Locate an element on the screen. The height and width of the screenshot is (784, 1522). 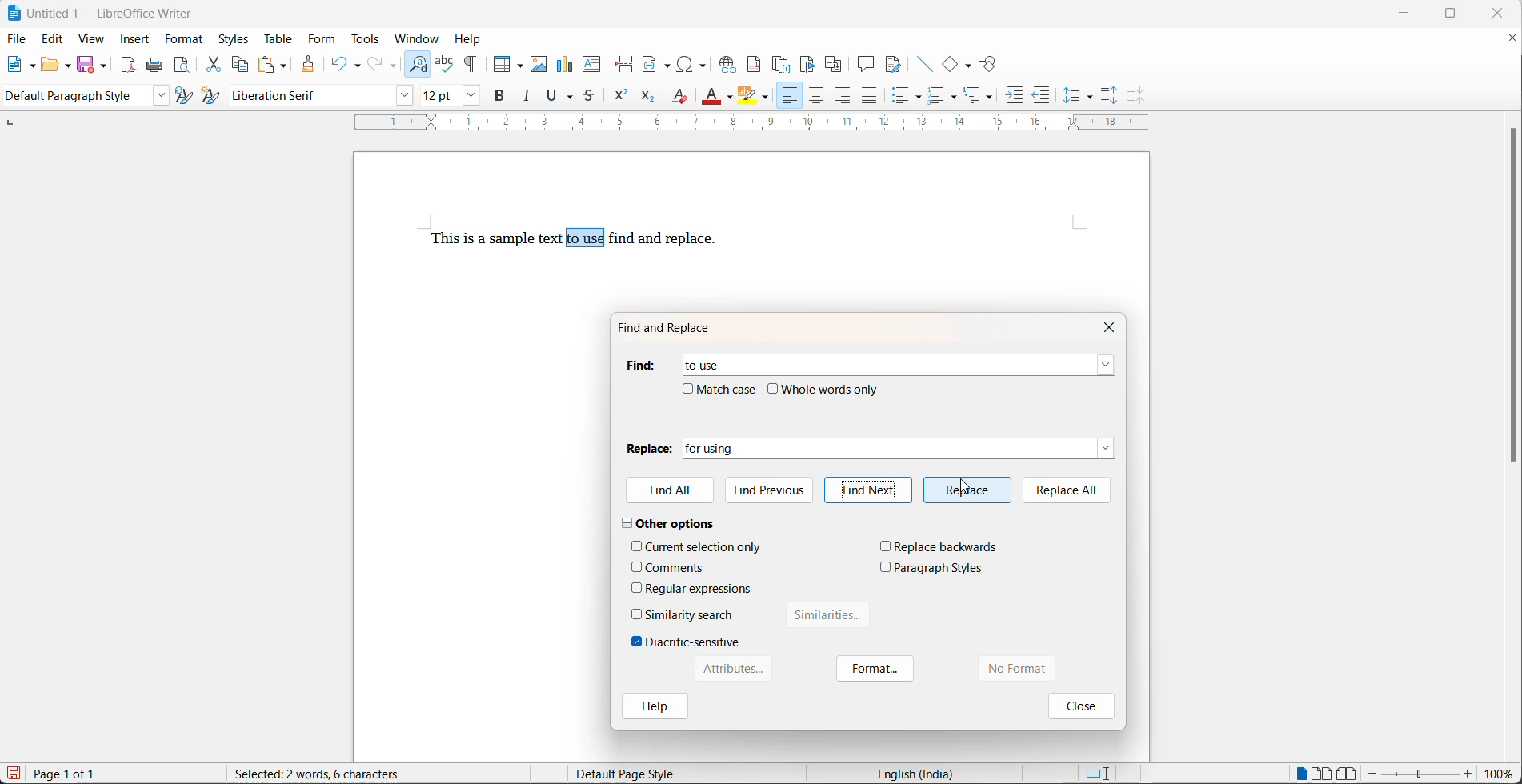
Default page style is located at coordinates (636, 774).